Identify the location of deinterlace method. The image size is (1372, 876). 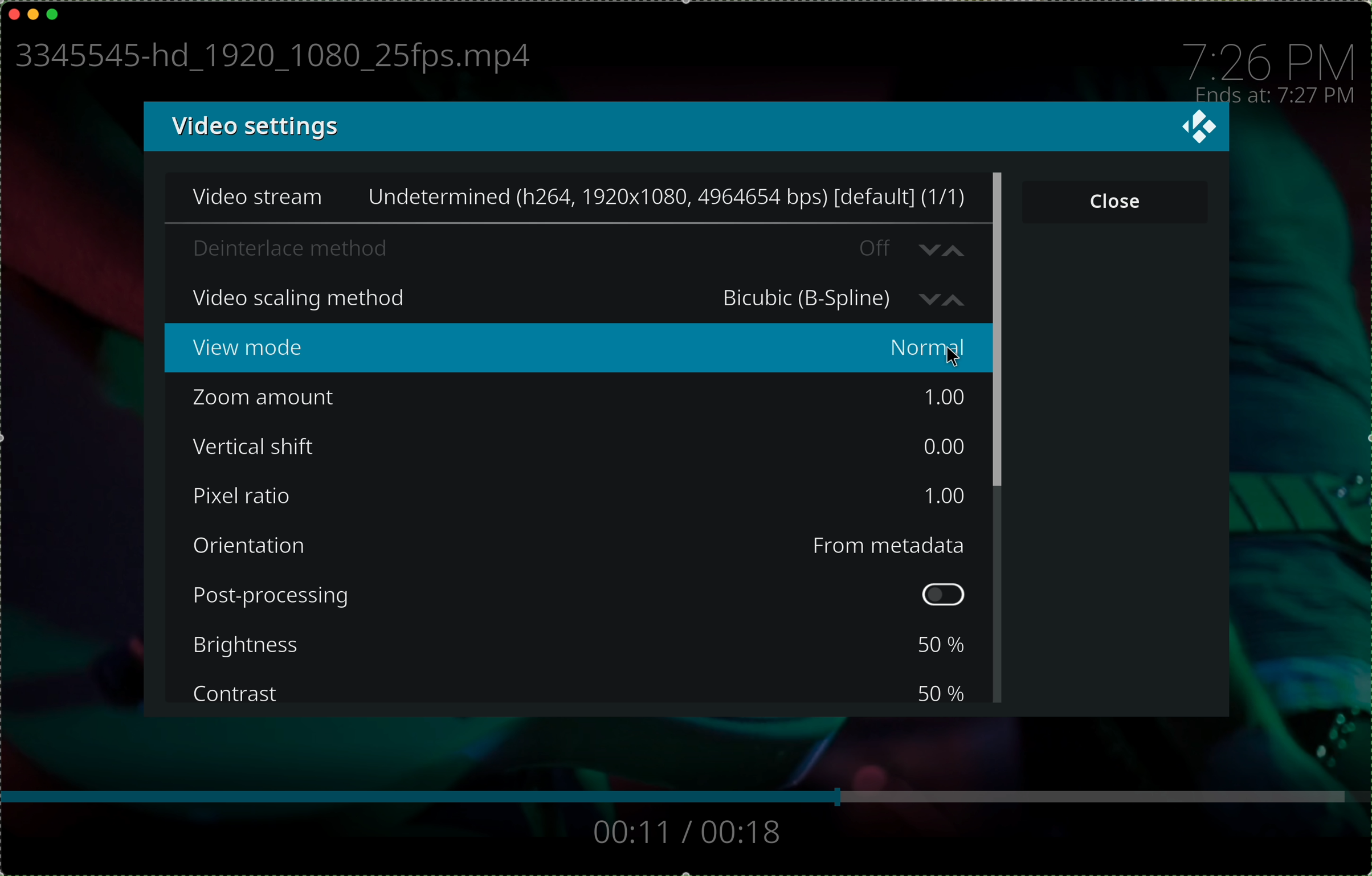
(567, 249).